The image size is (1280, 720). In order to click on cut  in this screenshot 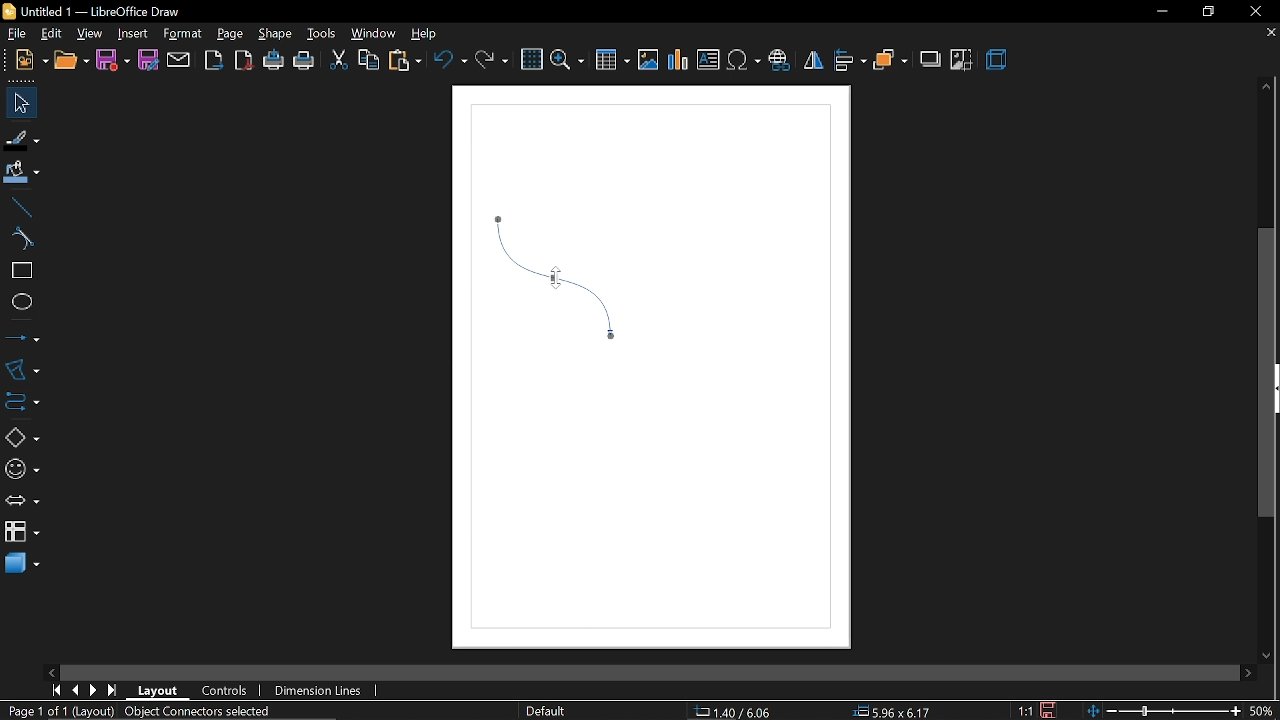, I will do `click(337, 62)`.